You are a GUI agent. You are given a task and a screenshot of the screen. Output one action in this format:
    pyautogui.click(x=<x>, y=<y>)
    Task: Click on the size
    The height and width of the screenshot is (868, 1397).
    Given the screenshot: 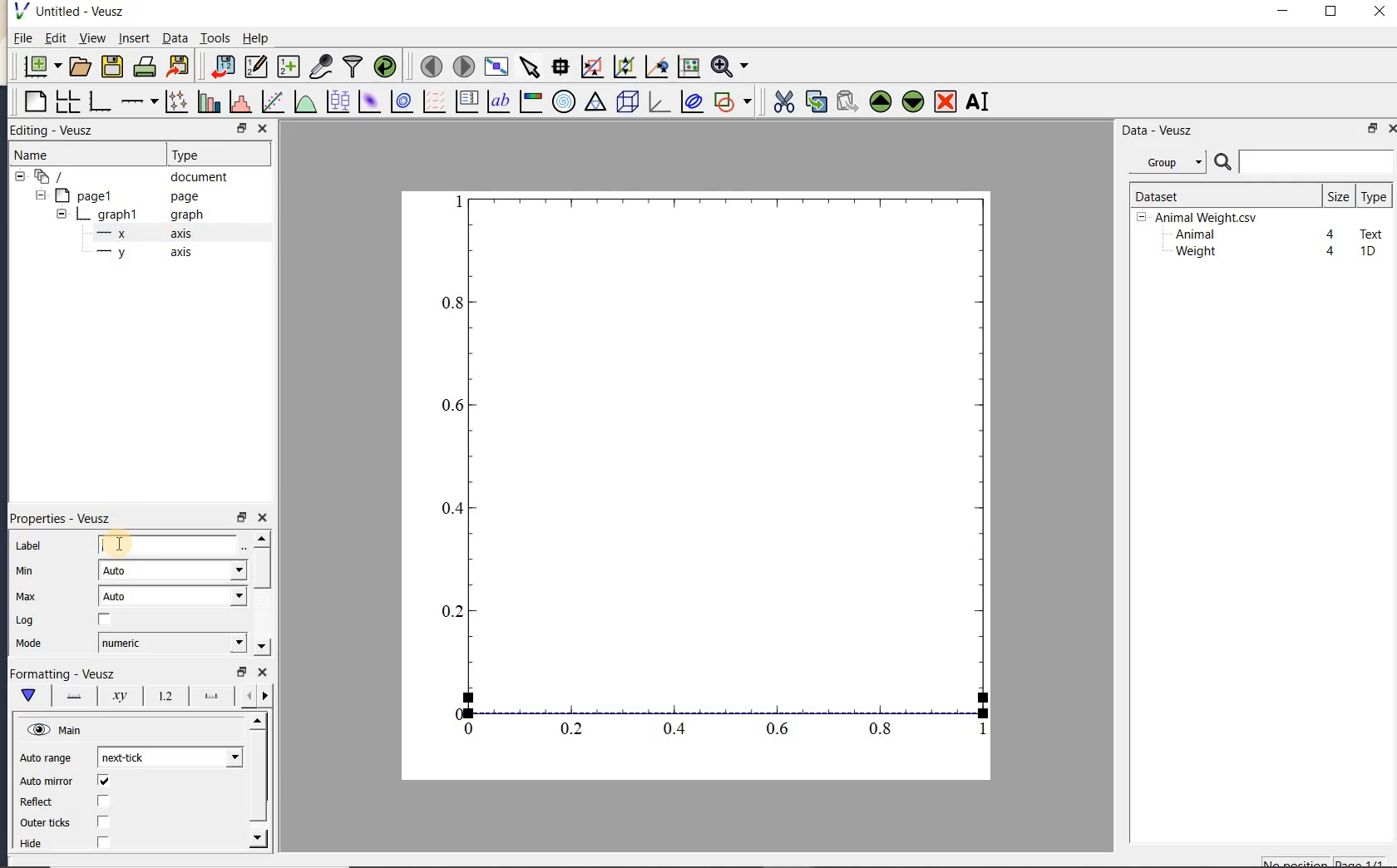 What is the action you would take?
    pyautogui.click(x=1338, y=195)
    